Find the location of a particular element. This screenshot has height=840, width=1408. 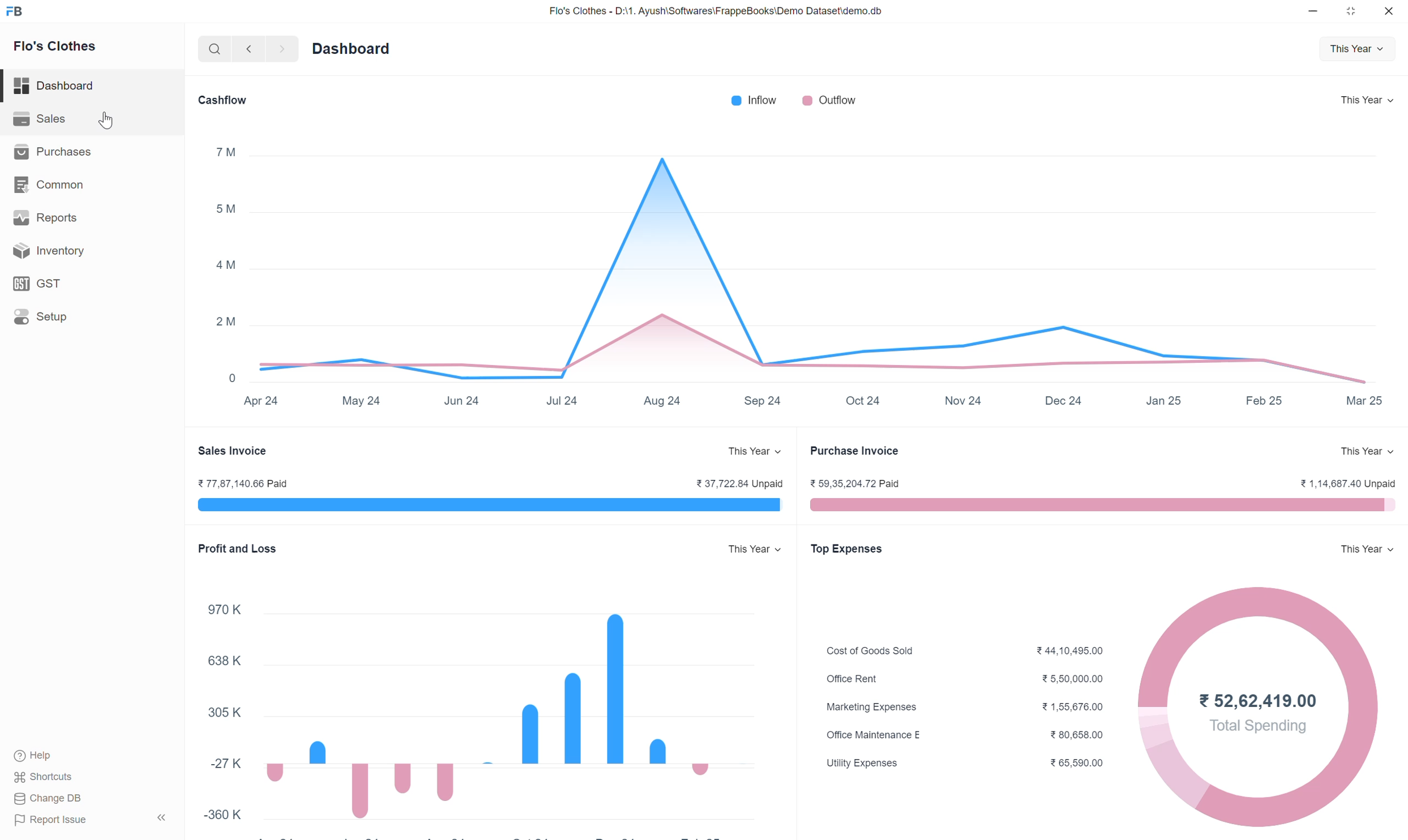

minimize  is located at coordinates (1318, 12).